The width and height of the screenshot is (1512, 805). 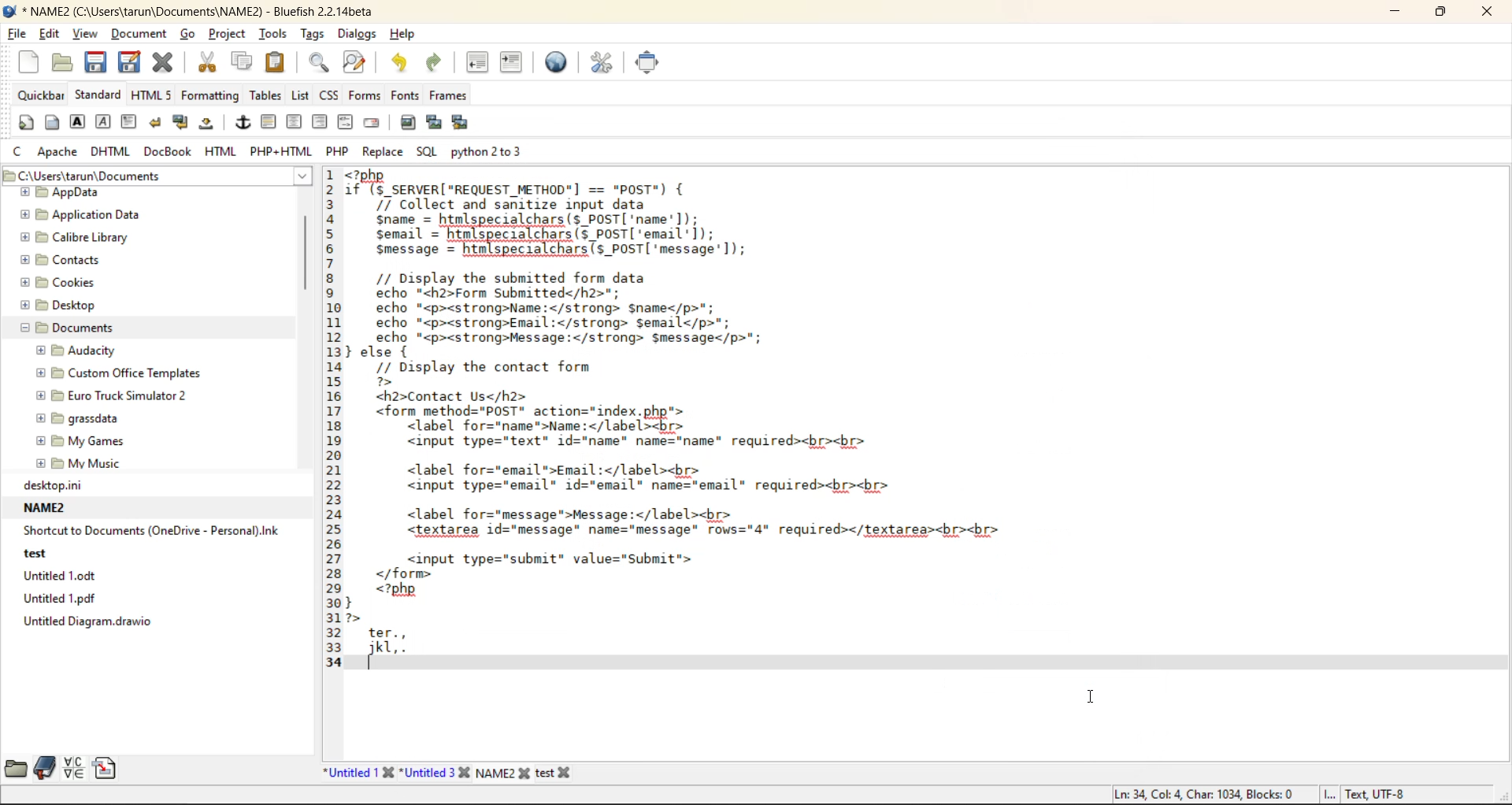 What do you see at coordinates (548, 772) in the screenshot?
I see `file name` at bounding box center [548, 772].